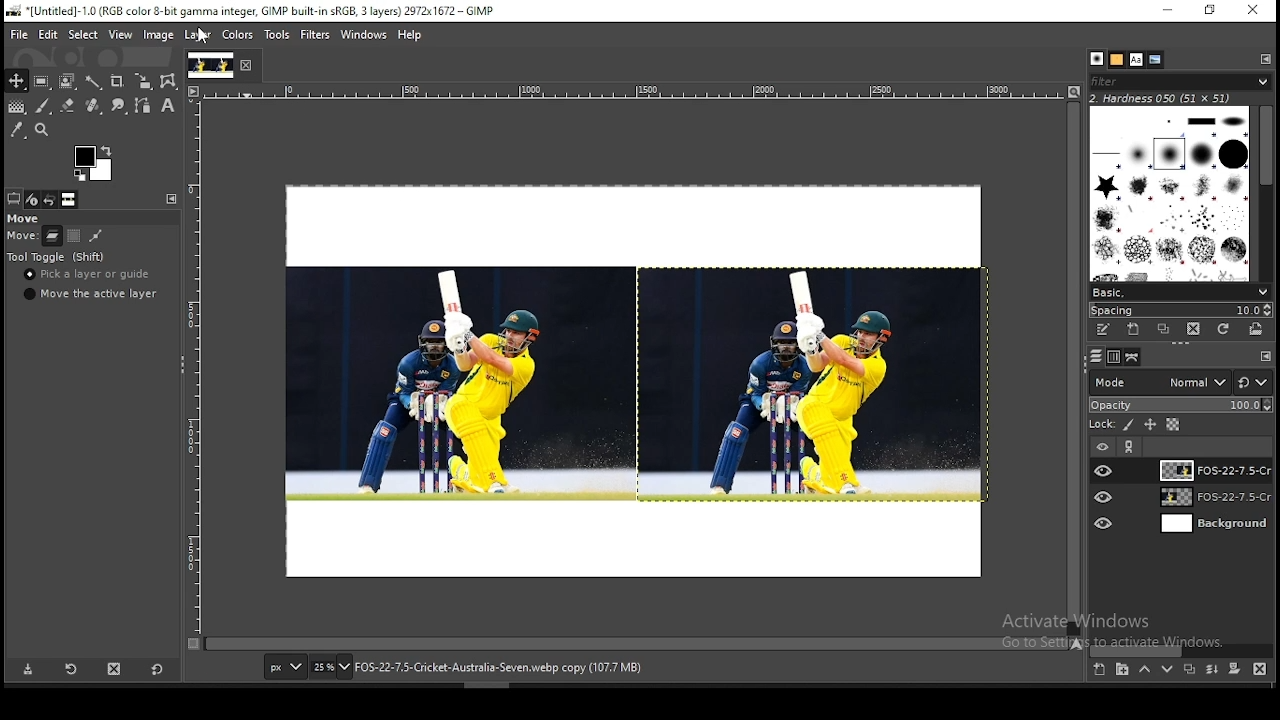 The image size is (1280, 720). Describe the element at coordinates (1212, 669) in the screenshot. I see `merge layer` at that location.